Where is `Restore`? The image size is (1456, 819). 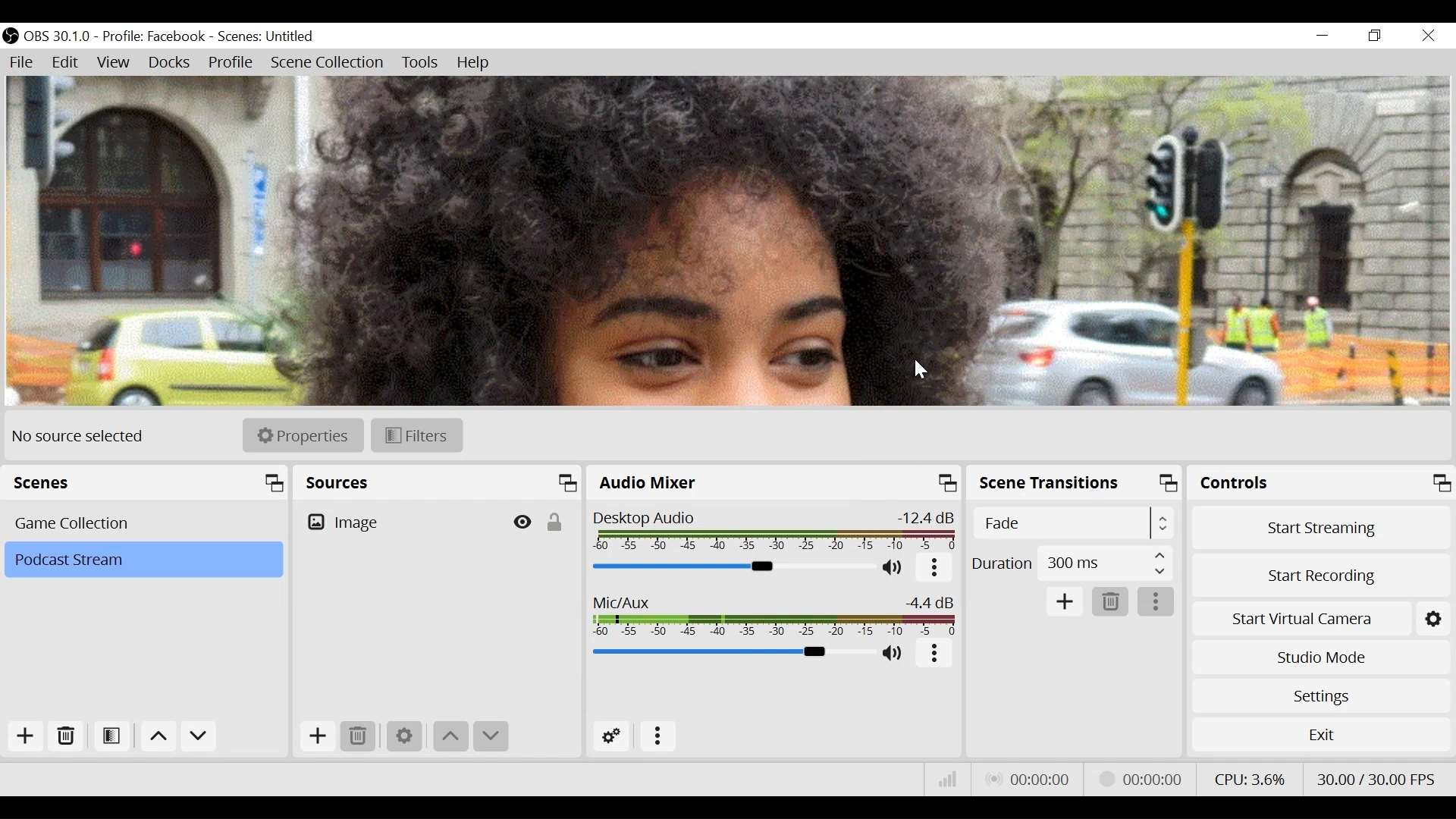
Restore is located at coordinates (1375, 36).